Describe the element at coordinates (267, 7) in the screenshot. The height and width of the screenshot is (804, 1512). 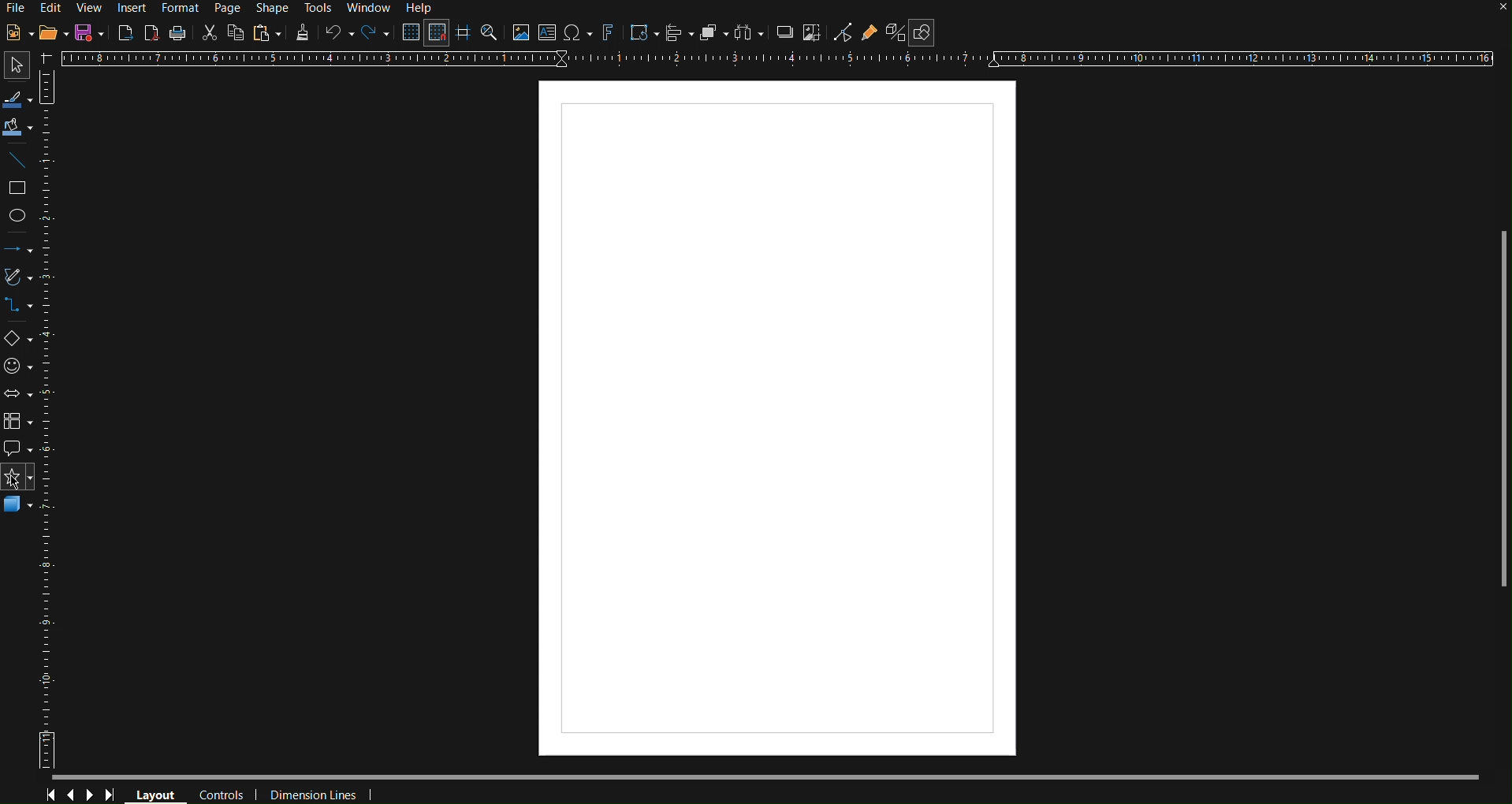
I see `Shape` at that location.